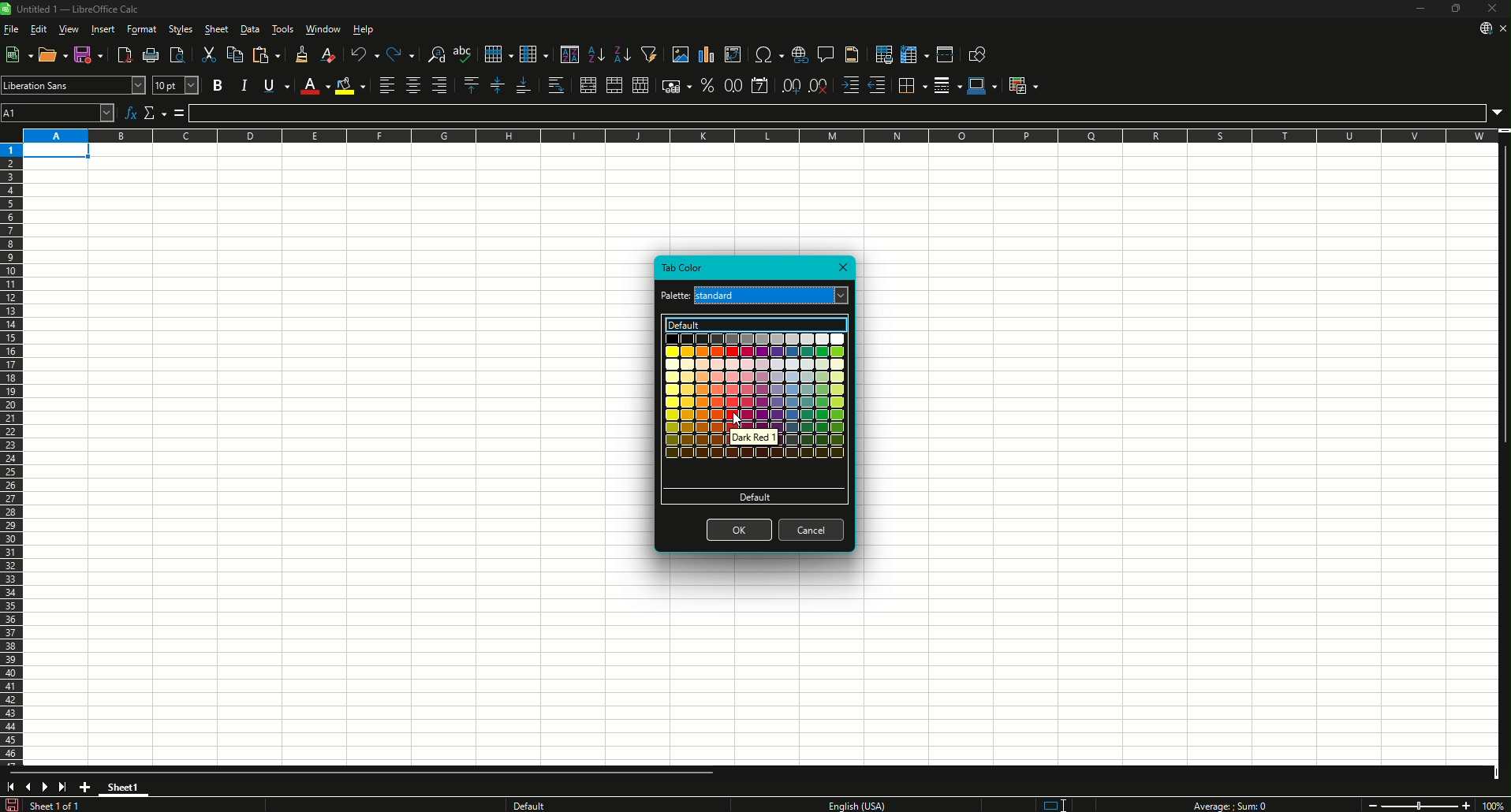 The height and width of the screenshot is (812, 1511). I want to click on Export Directly as PDF, so click(125, 54).